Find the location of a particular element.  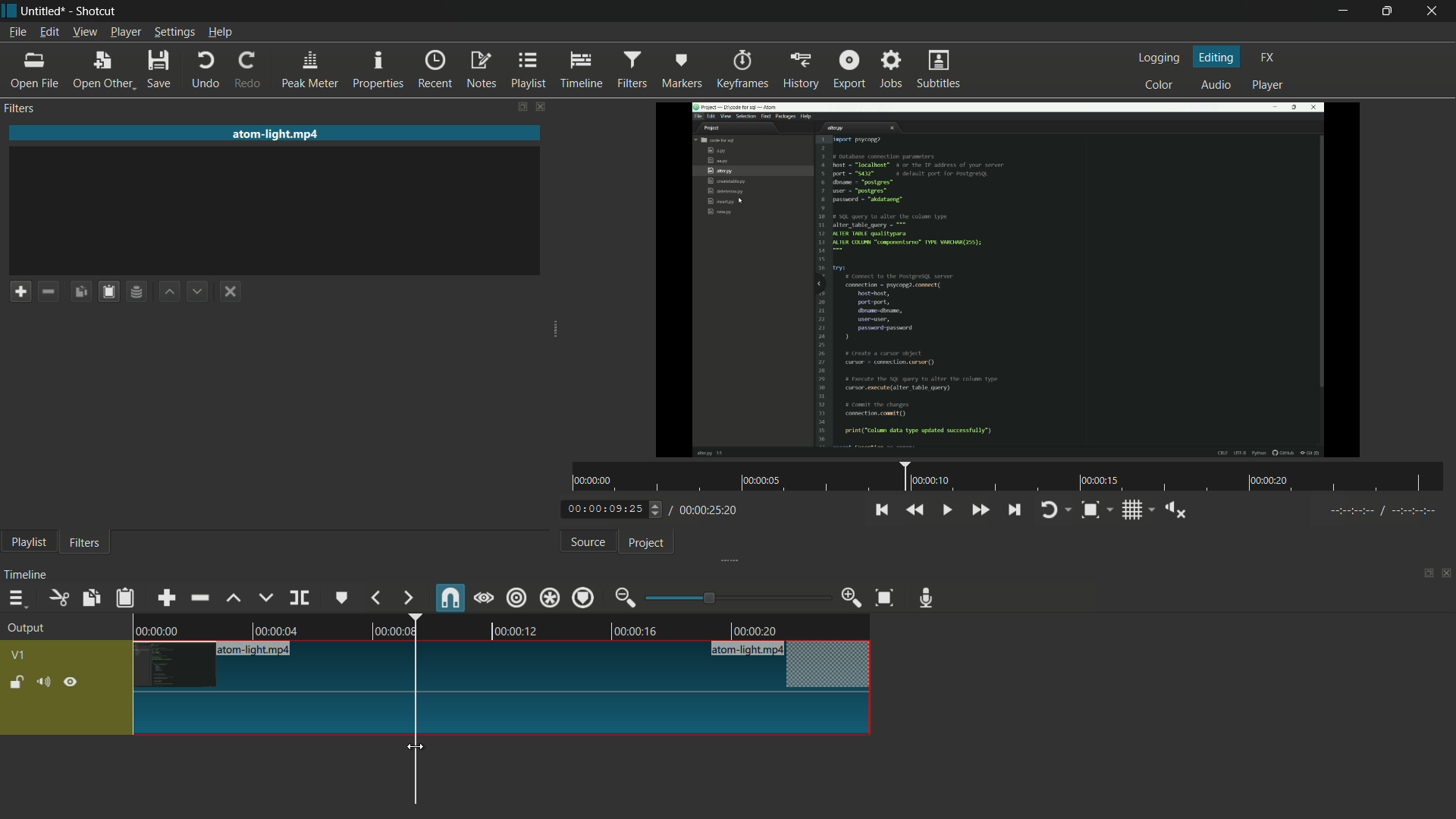

change layout is located at coordinates (516, 106).